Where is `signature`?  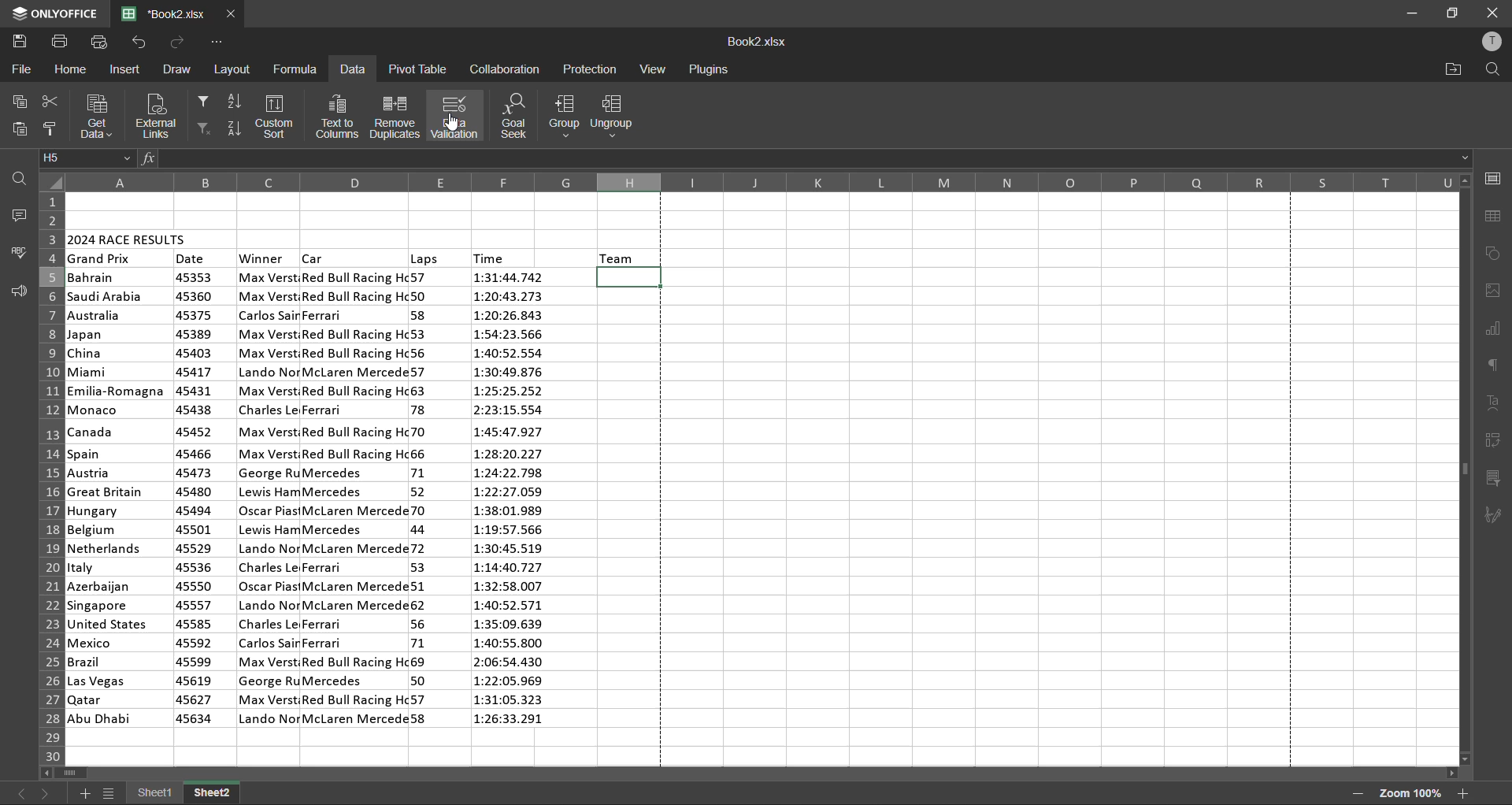 signature is located at coordinates (1496, 516).